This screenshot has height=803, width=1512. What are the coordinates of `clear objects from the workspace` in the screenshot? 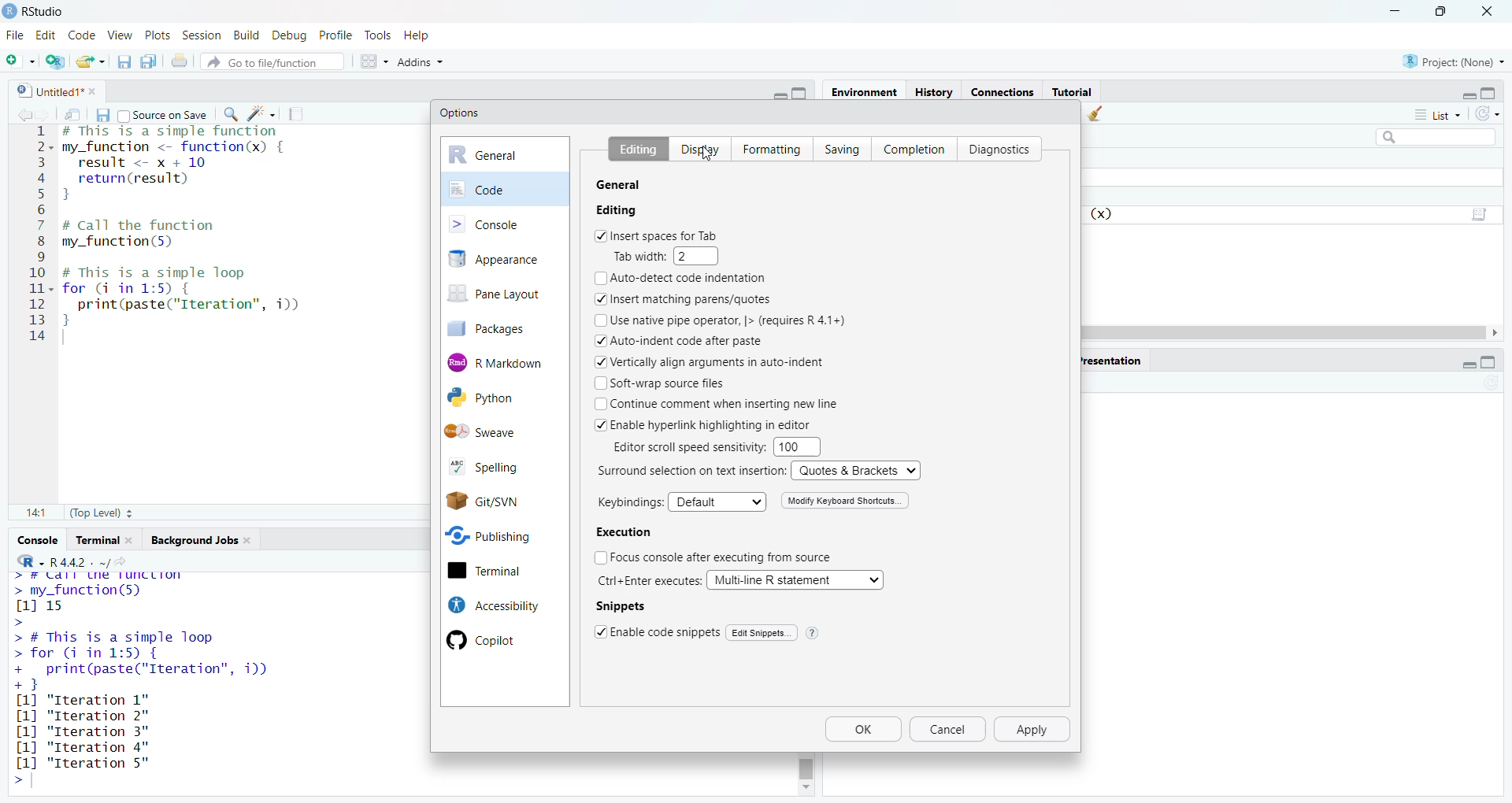 It's located at (1098, 115).